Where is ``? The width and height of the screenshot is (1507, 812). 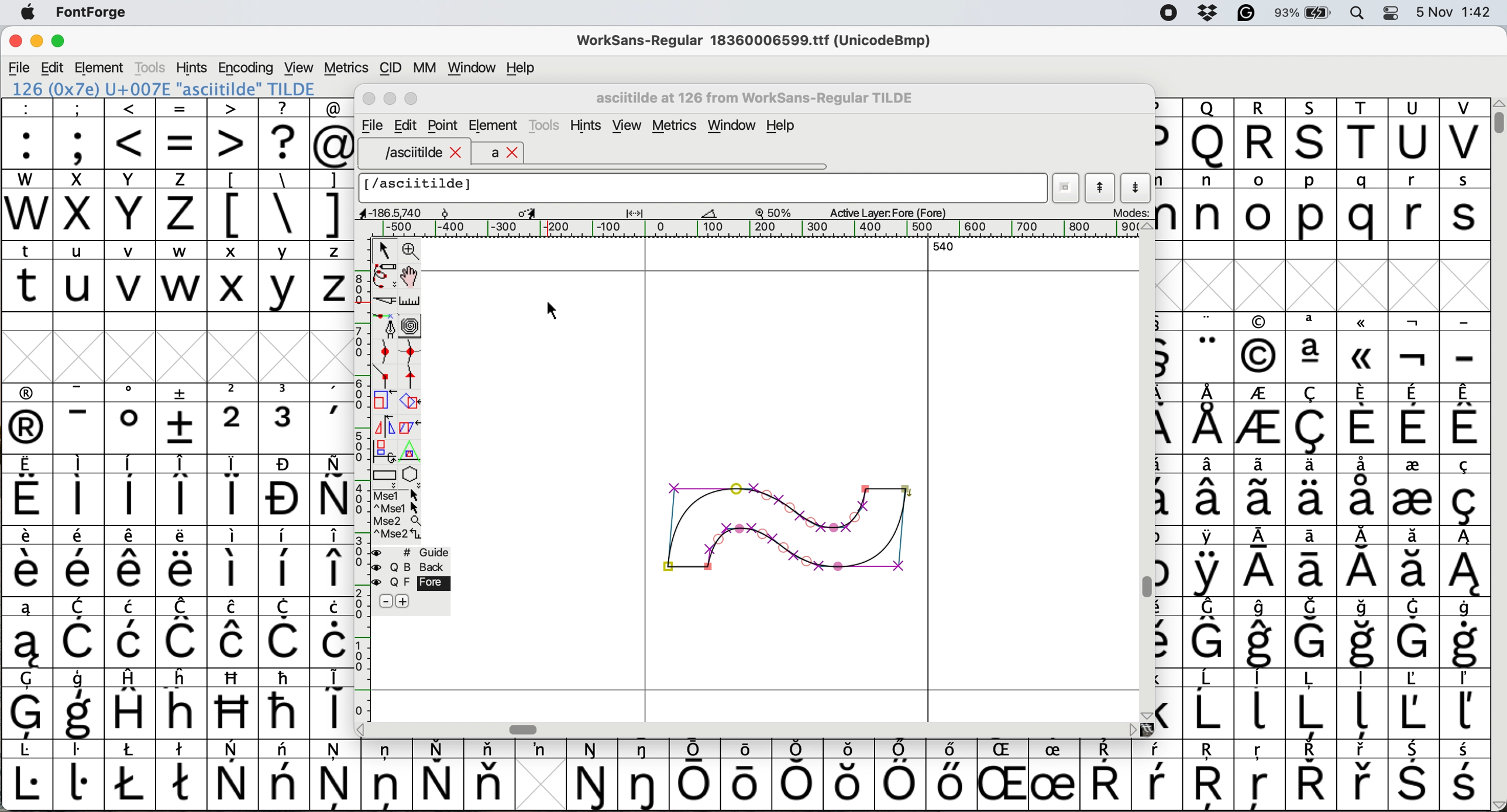  is located at coordinates (234, 703).